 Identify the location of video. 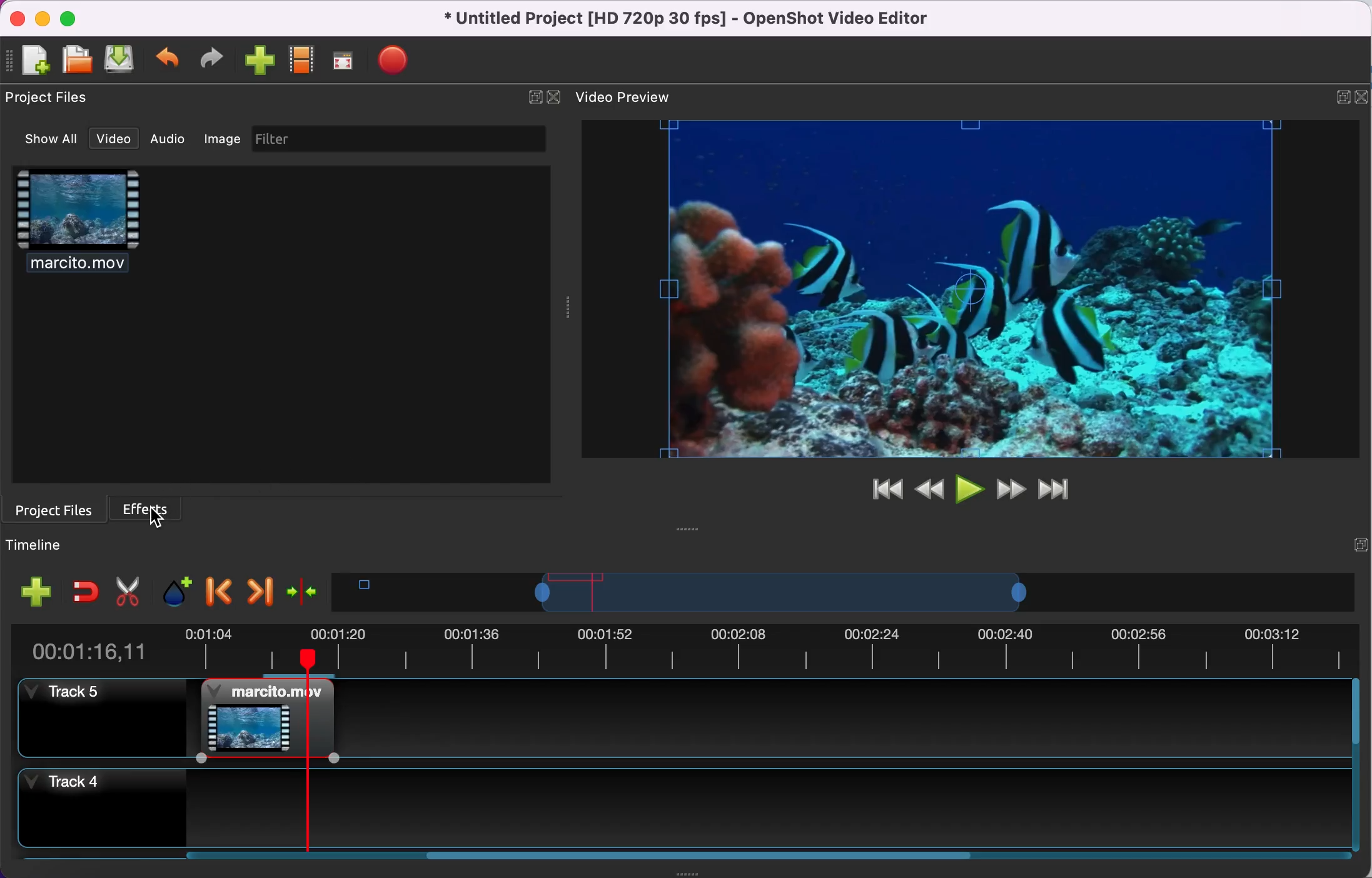
(109, 138).